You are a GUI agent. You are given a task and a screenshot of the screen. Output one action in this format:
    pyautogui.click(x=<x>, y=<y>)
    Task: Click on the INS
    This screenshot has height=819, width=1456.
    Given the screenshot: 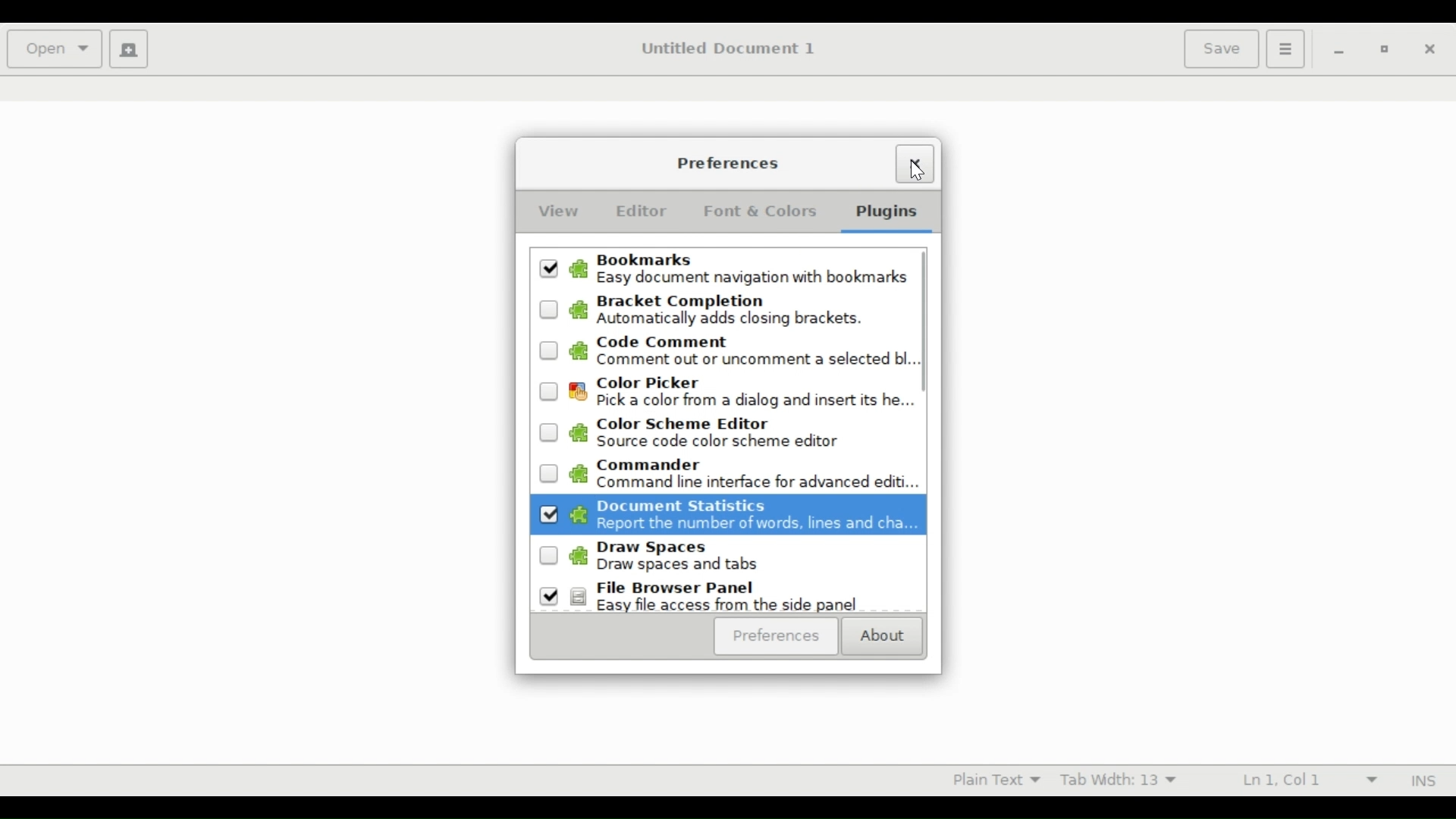 What is the action you would take?
    pyautogui.click(x=1420, y=780)
    